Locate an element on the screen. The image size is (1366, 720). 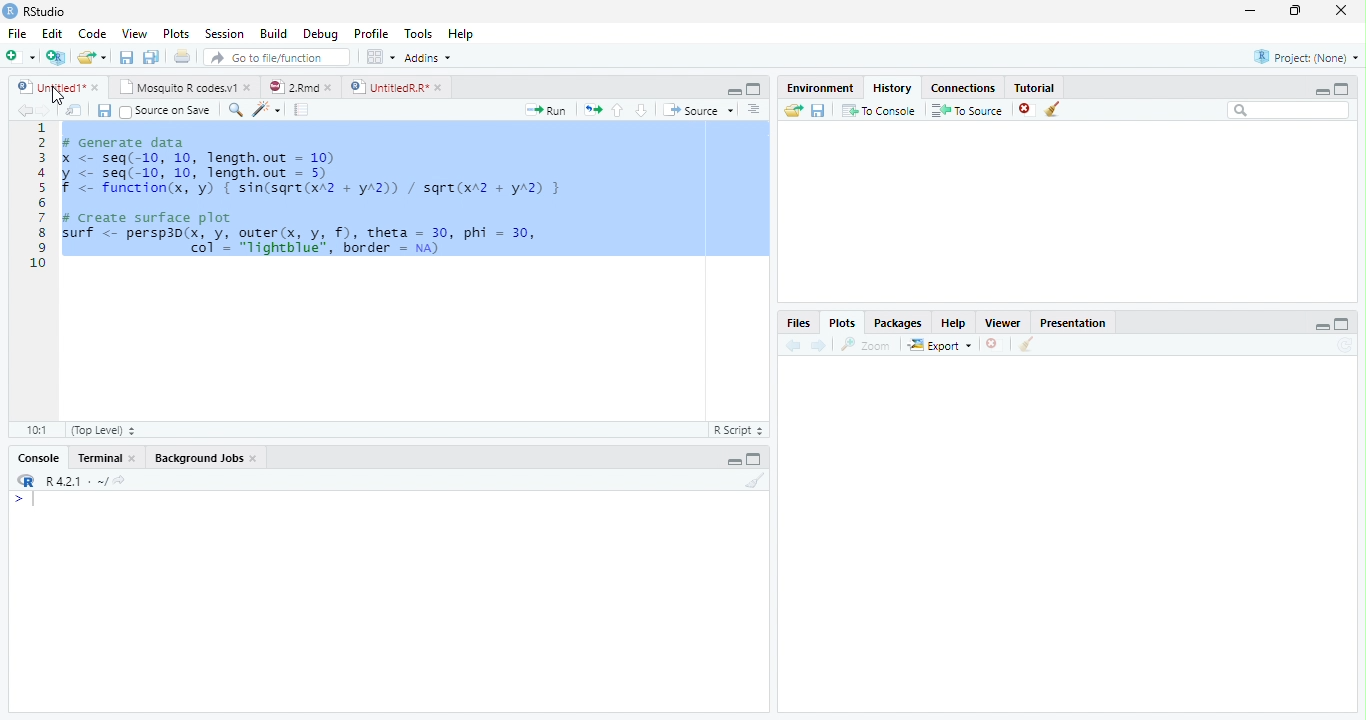
close is located at coordinates (248, 87).